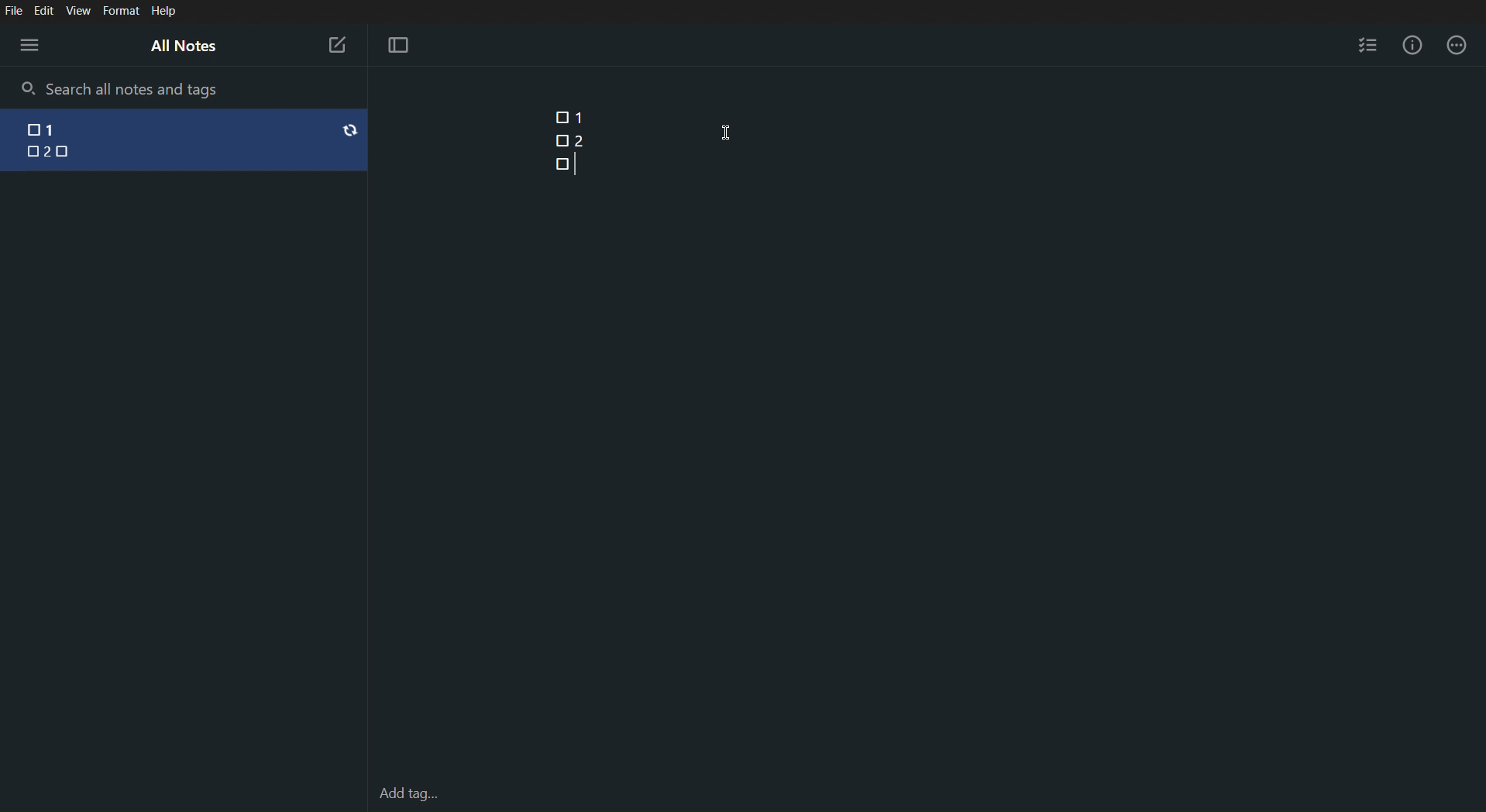 Image resolution: width=1486 pixels, height=812 pixels. I want to click on checkbox, so click(71, 153).